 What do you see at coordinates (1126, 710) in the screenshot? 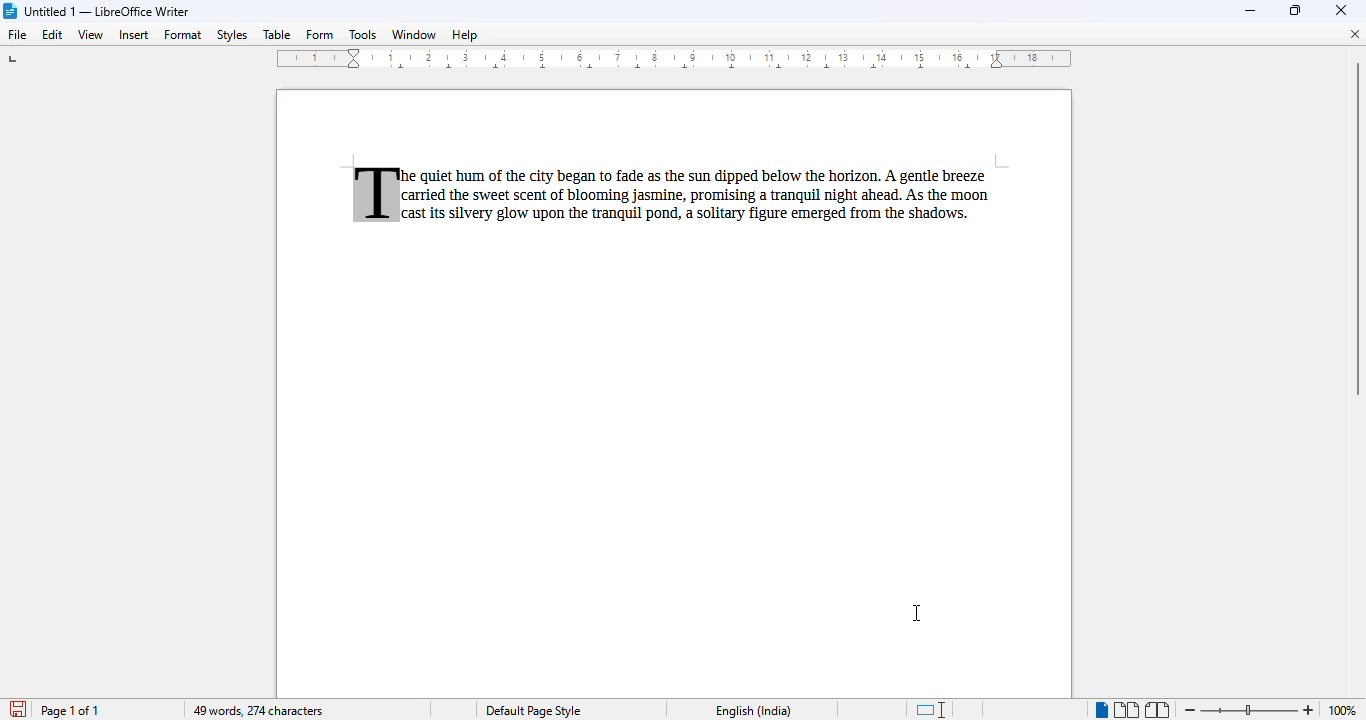
I see `multi-page view` at bounding box center [1126, 710].